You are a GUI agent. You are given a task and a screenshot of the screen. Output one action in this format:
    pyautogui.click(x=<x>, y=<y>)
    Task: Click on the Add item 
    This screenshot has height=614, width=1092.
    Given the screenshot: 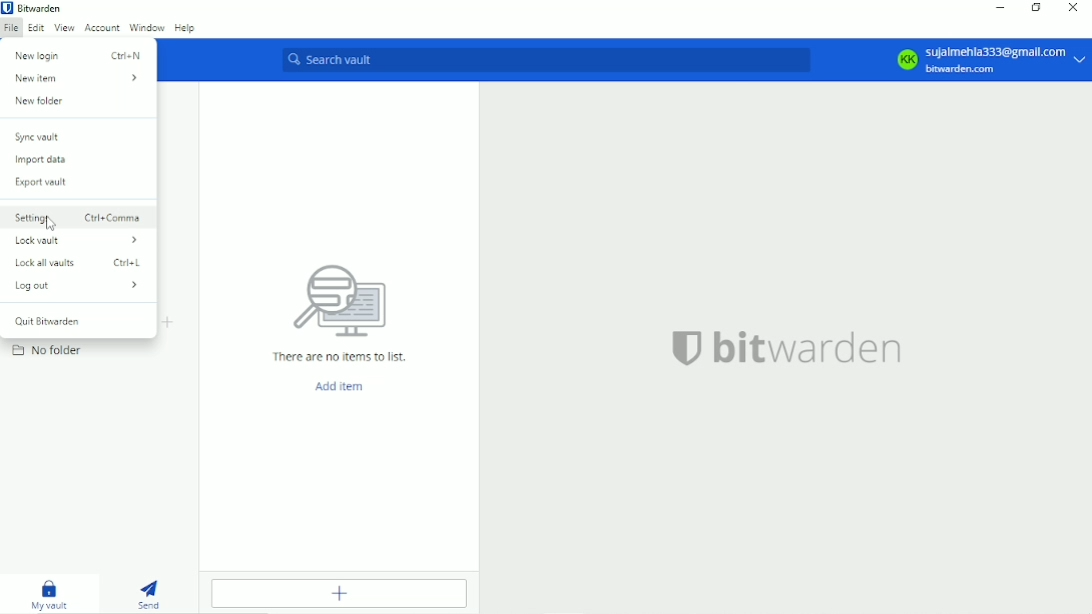 What is the action you would take?
    pyautogui.click(x=338, y=385)
    